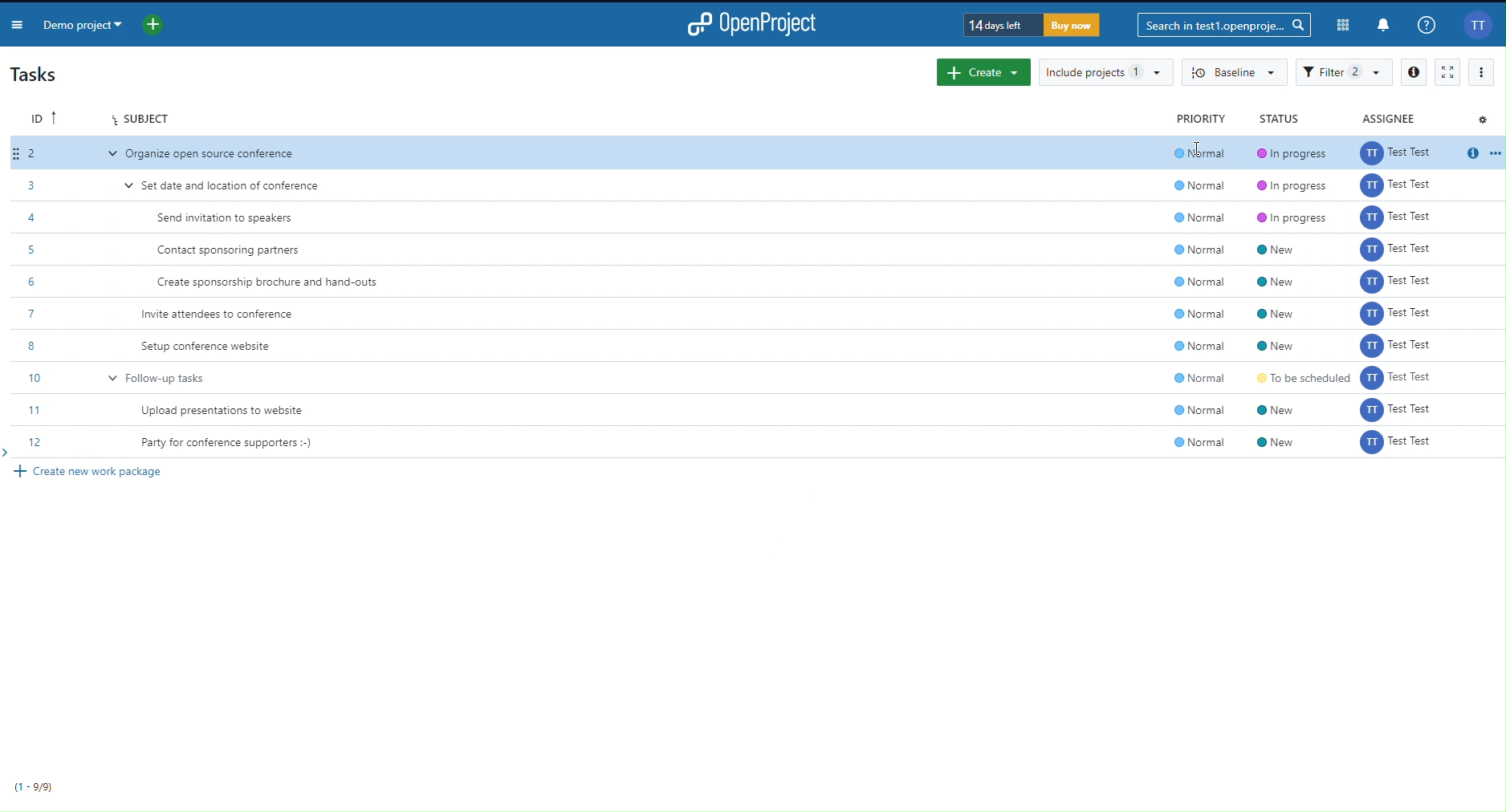 The image size is (1506, 812). I want to click on 8 Setup conference website @ Normal @ New Test Test, so click(759, 345).